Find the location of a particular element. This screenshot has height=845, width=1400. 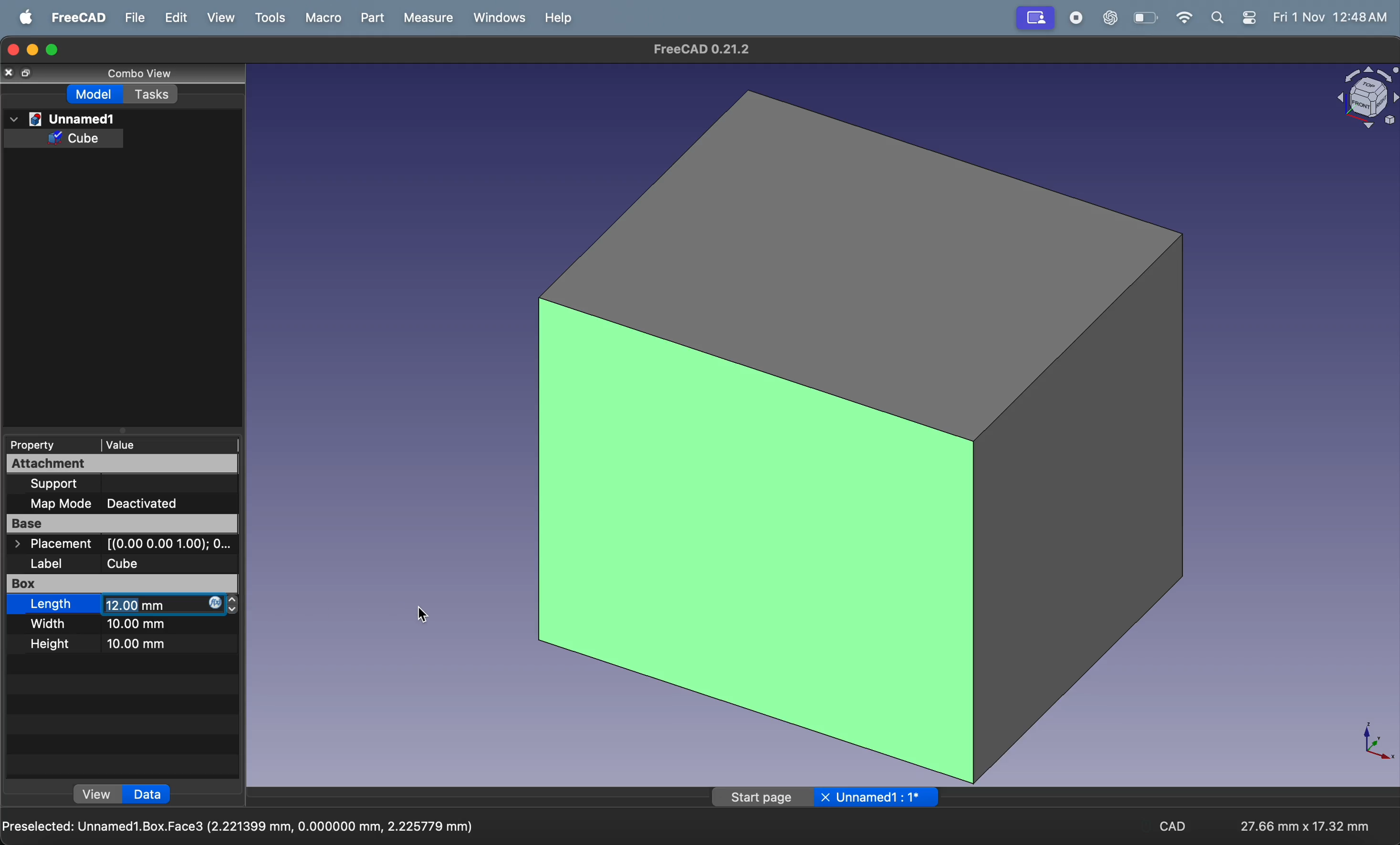

27.66 mm x 17.32 mm is located at coordinates (1307, 826).